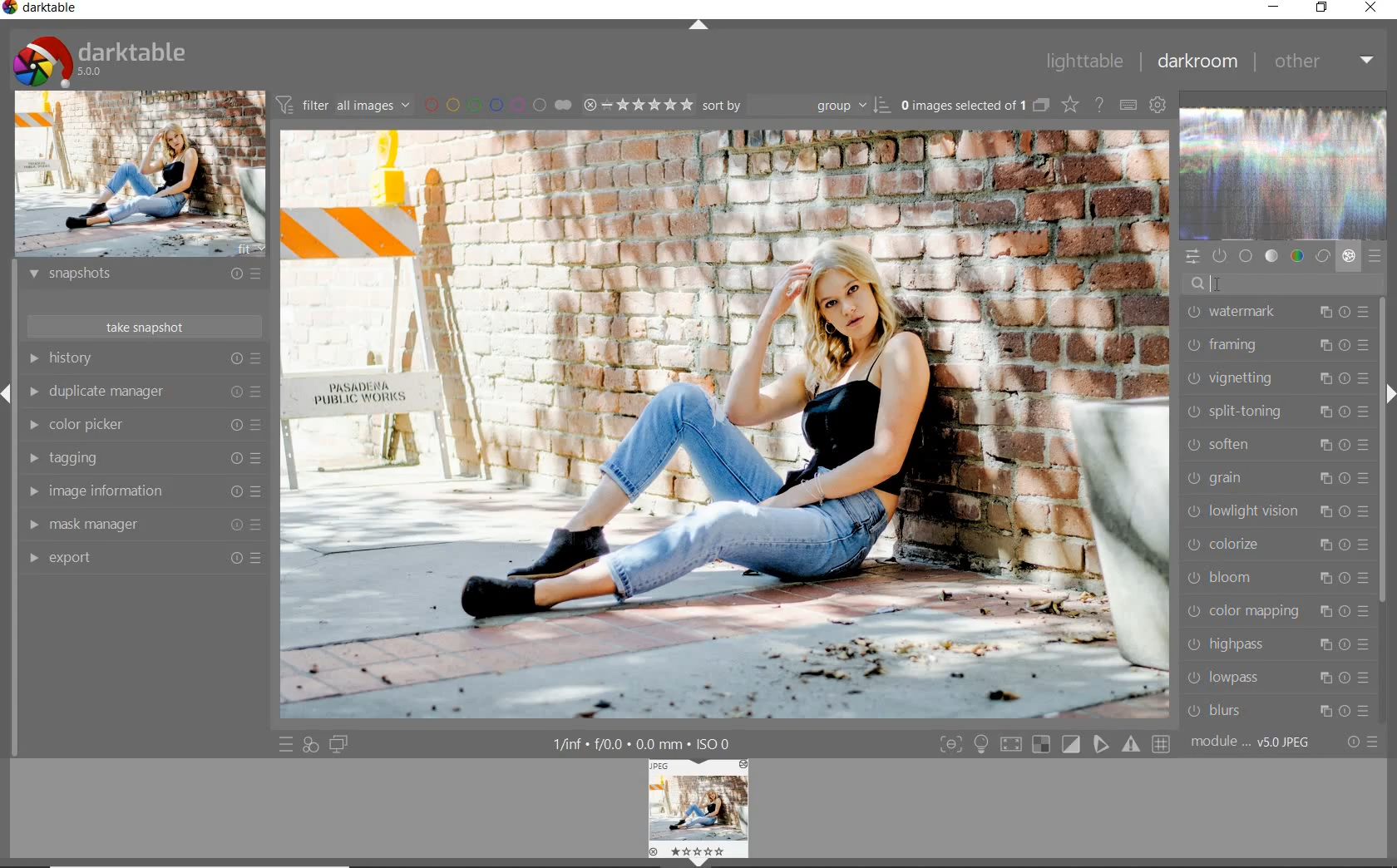  What do you see at coordinates (1159, 106) in the screenshot?
I see `show global preferences` at bounding box center [1159, 106].